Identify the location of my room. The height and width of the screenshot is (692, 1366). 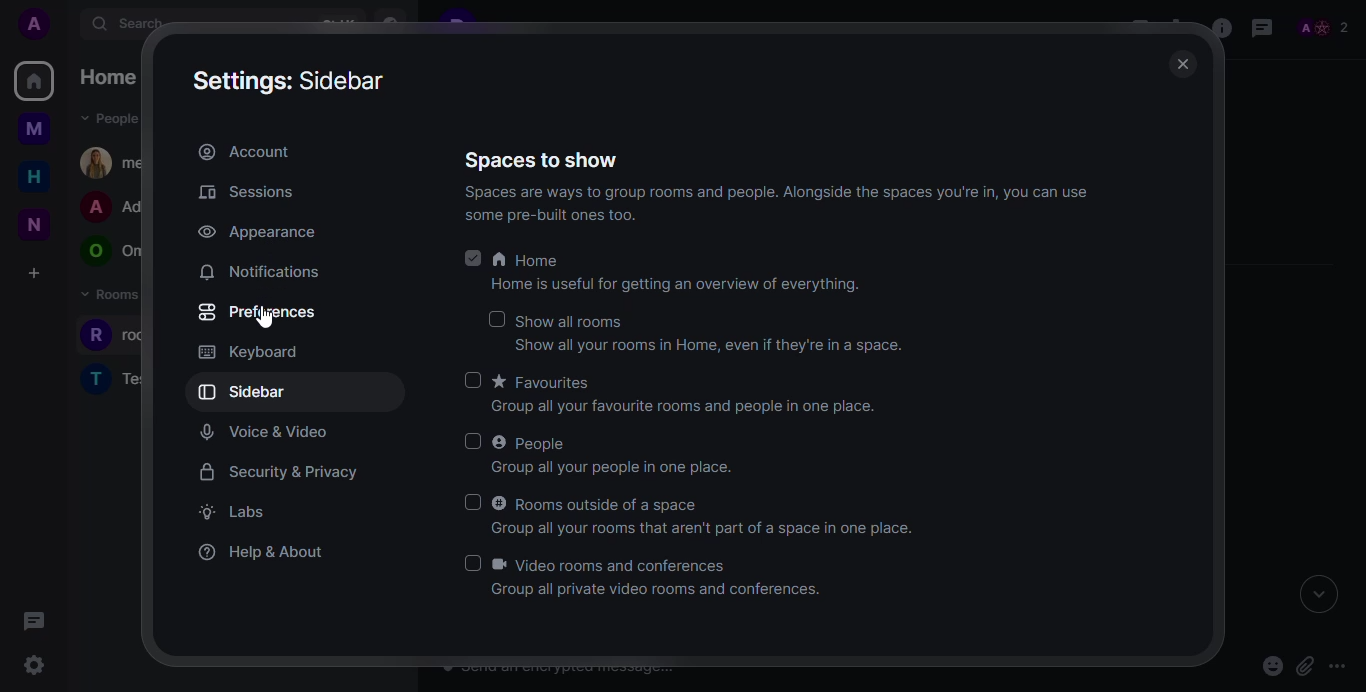
(116, 162).